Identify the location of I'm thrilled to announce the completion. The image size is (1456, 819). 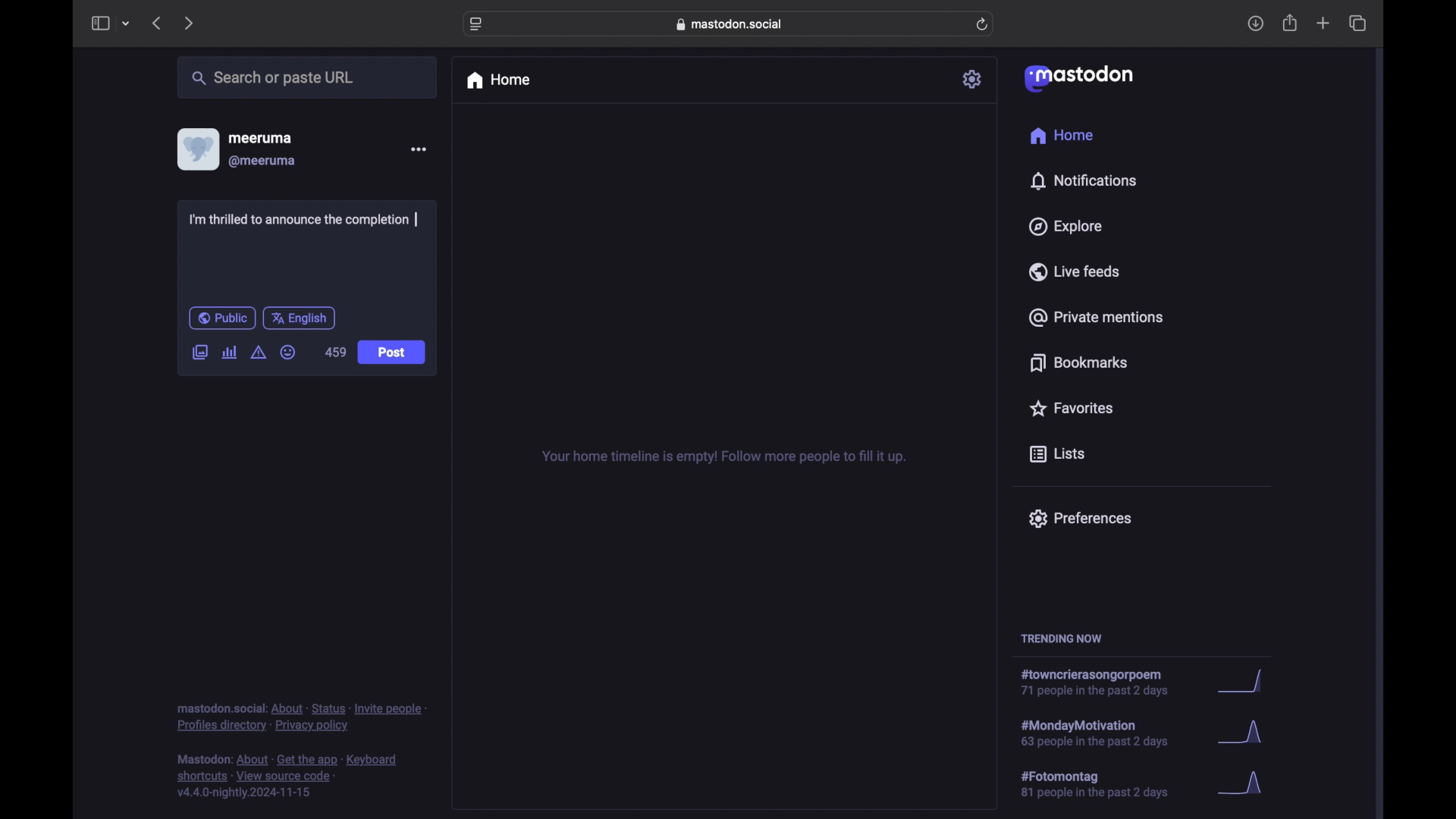
(303, 222).